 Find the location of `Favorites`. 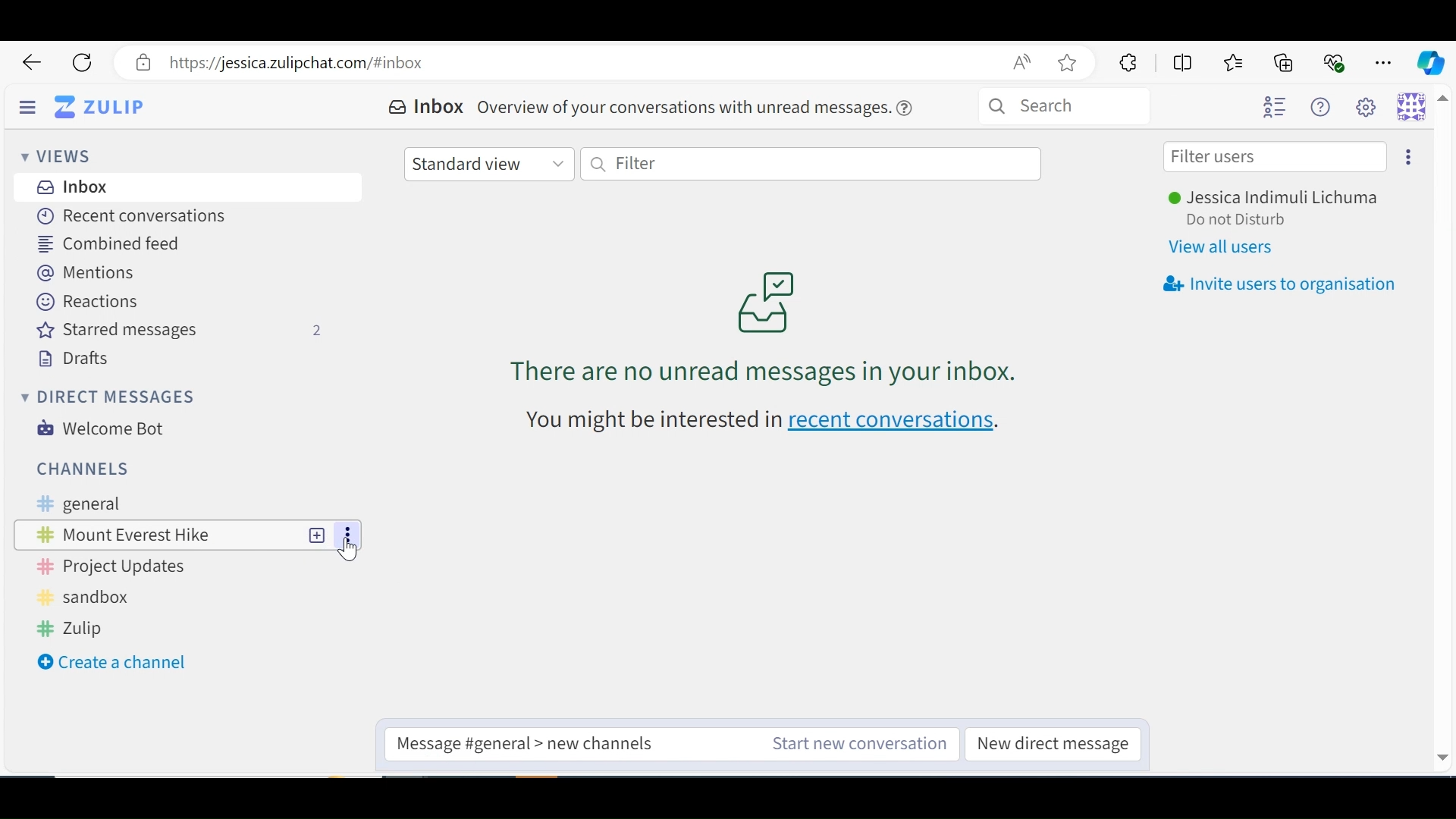

Favorites is located at coordinates (1235, 62).